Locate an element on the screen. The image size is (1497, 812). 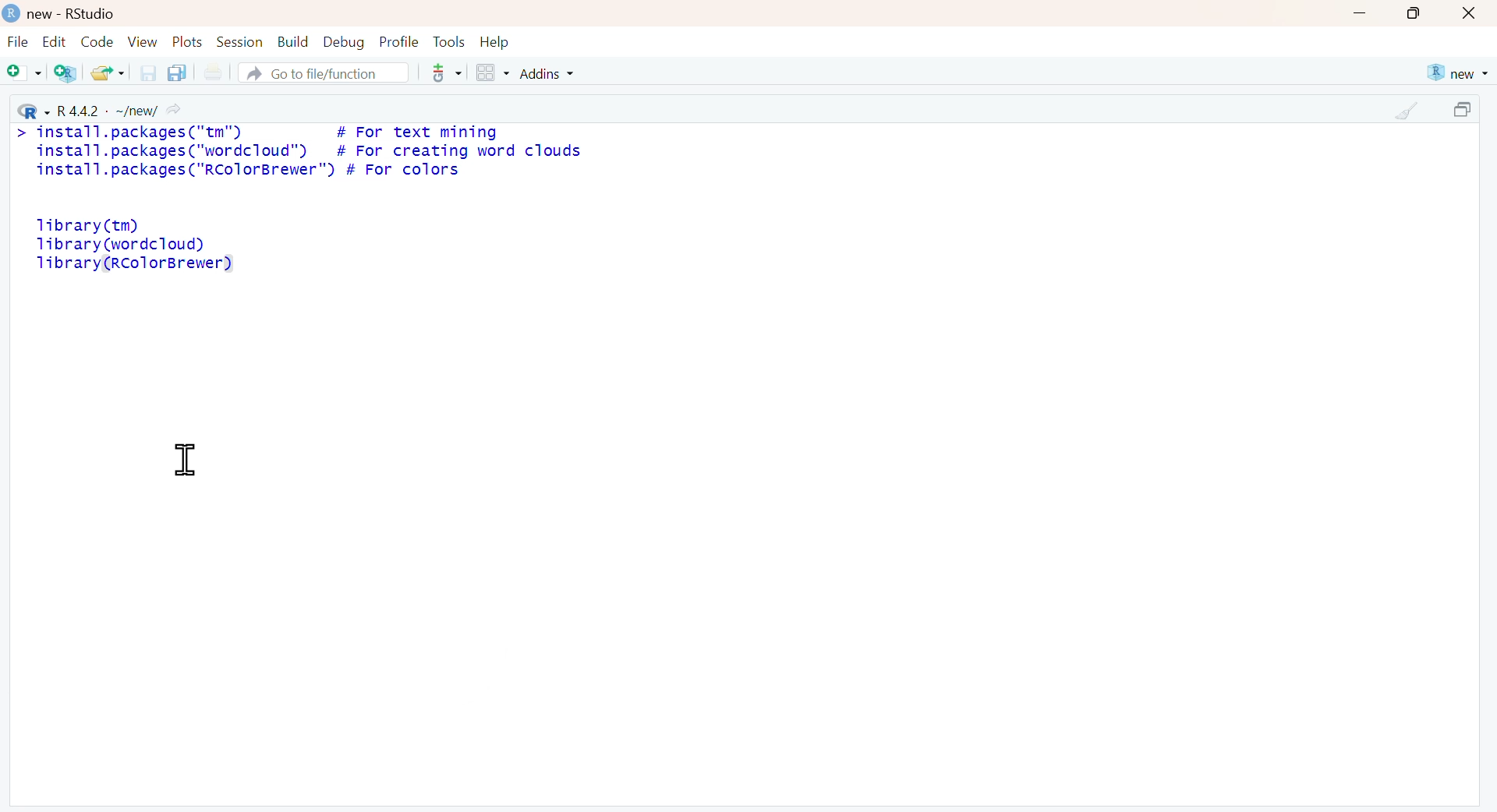
Create a project is located at coordinates (65, 73).